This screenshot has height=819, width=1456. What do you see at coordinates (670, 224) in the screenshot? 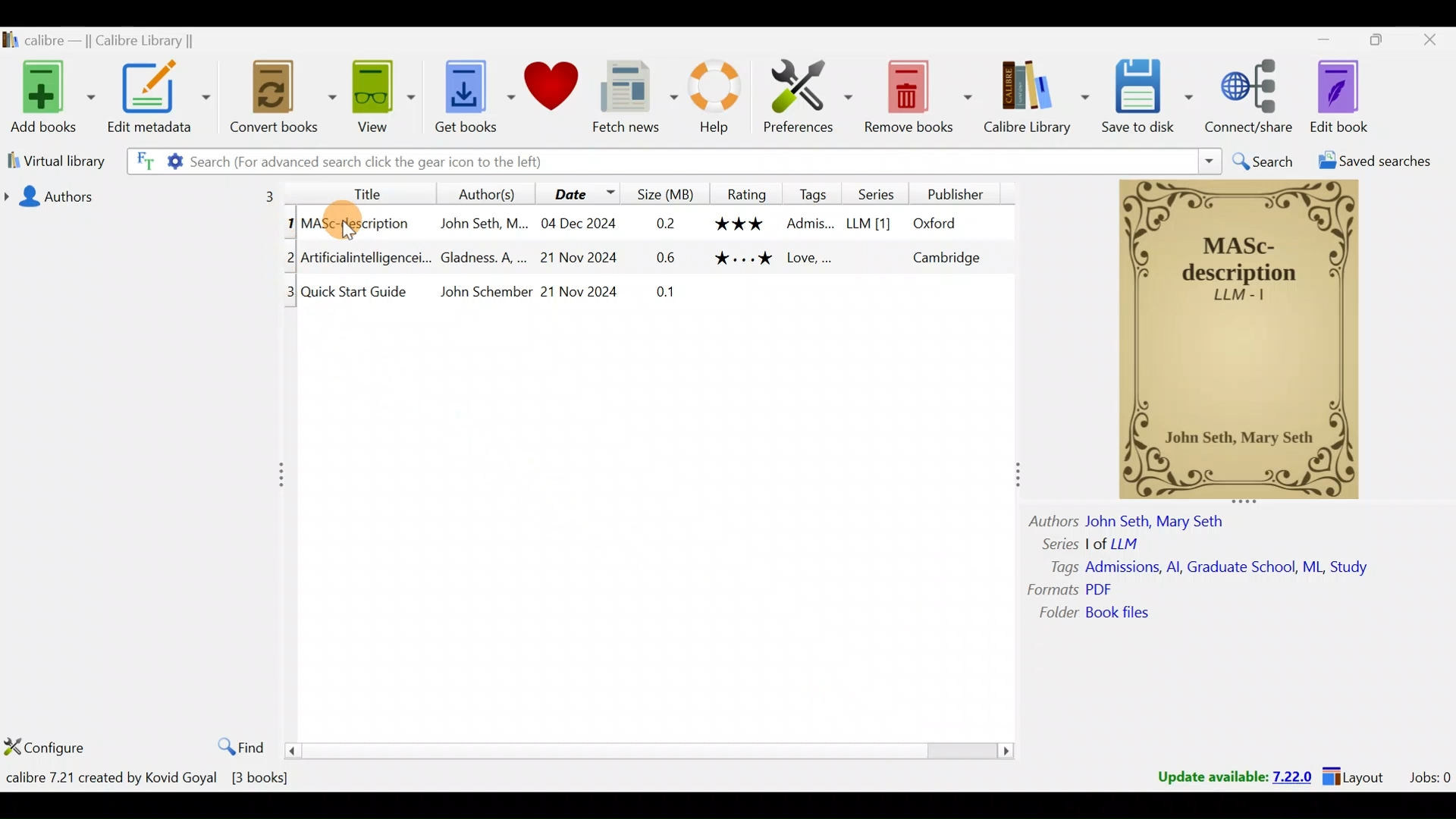
I see `` at bounding box center [670, 224].